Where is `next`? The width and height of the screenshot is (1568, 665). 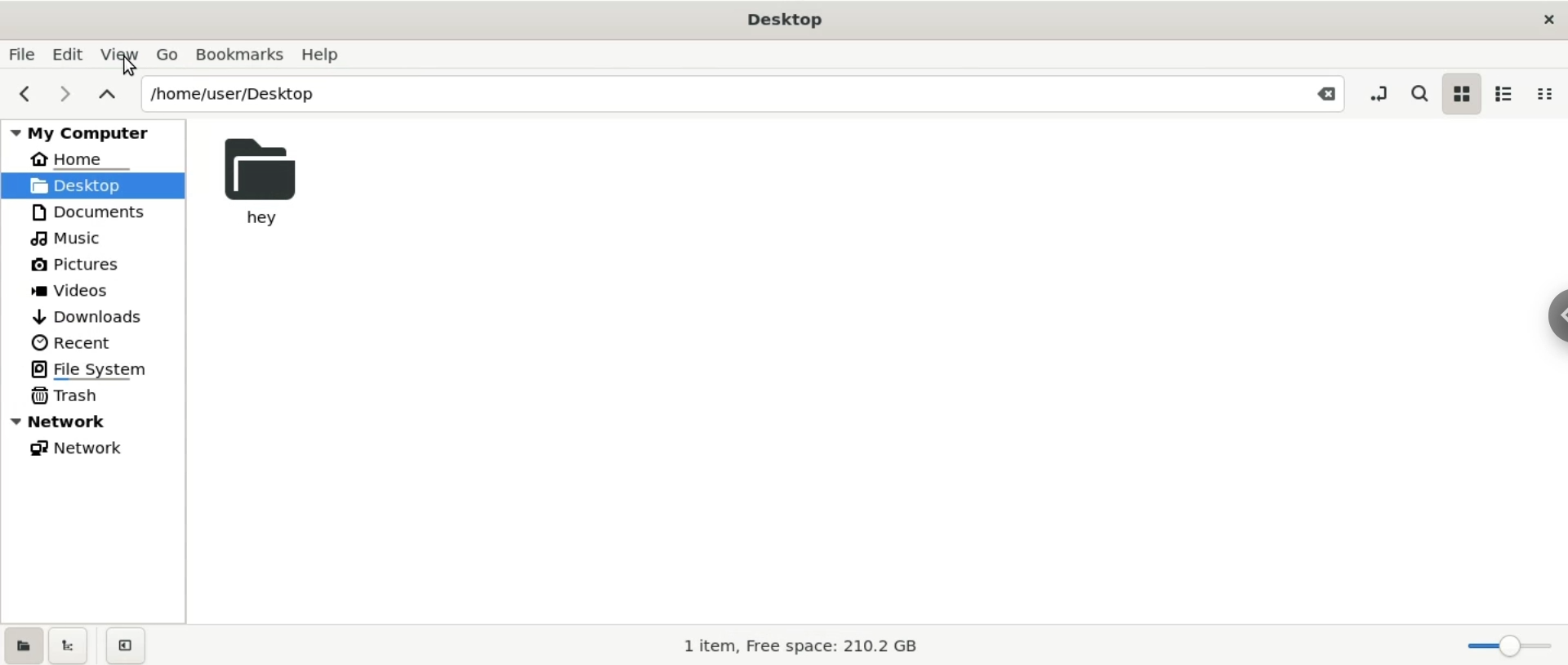 next is located at coordinates (65, 92).